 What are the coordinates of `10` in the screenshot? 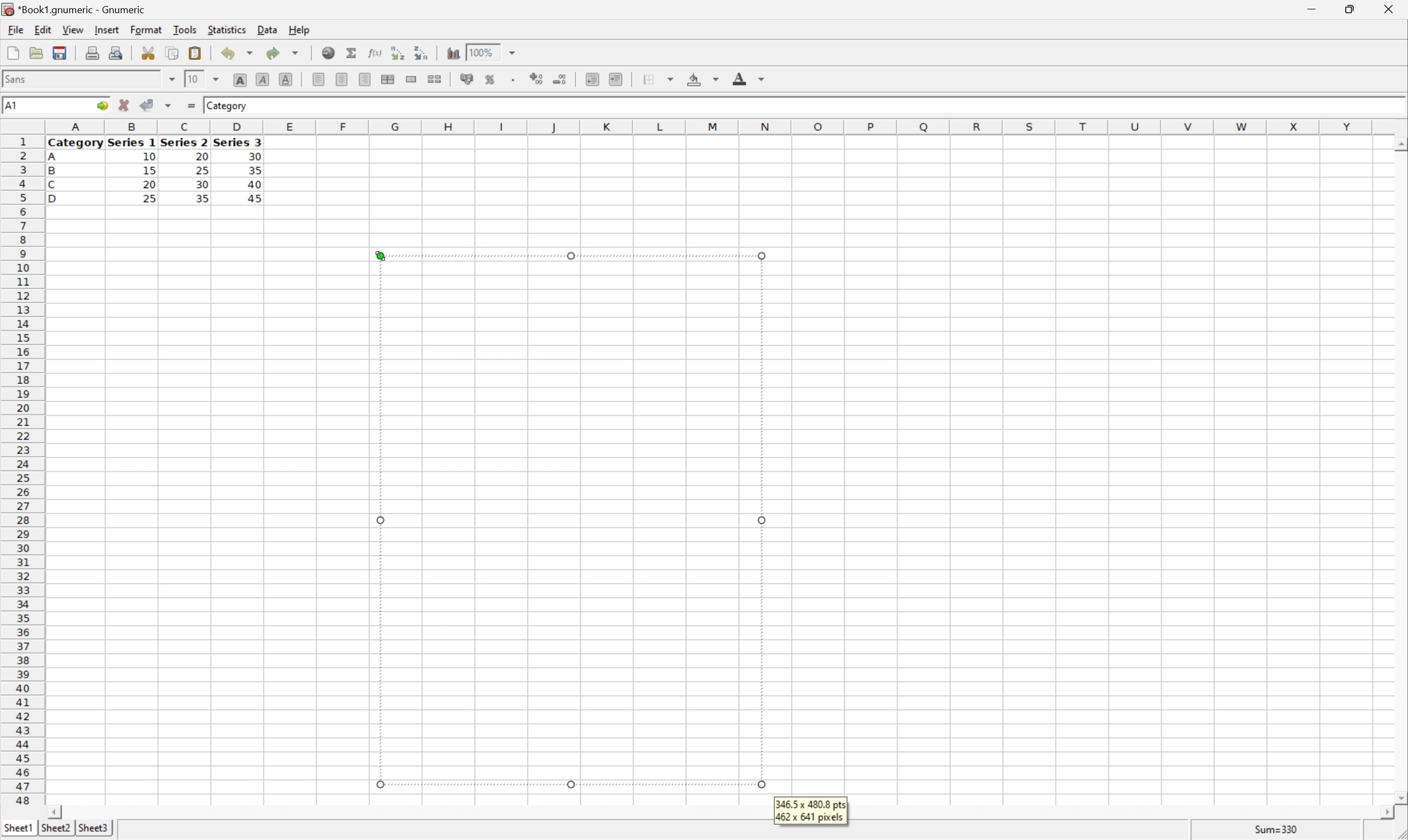 It's located at (194, 79).